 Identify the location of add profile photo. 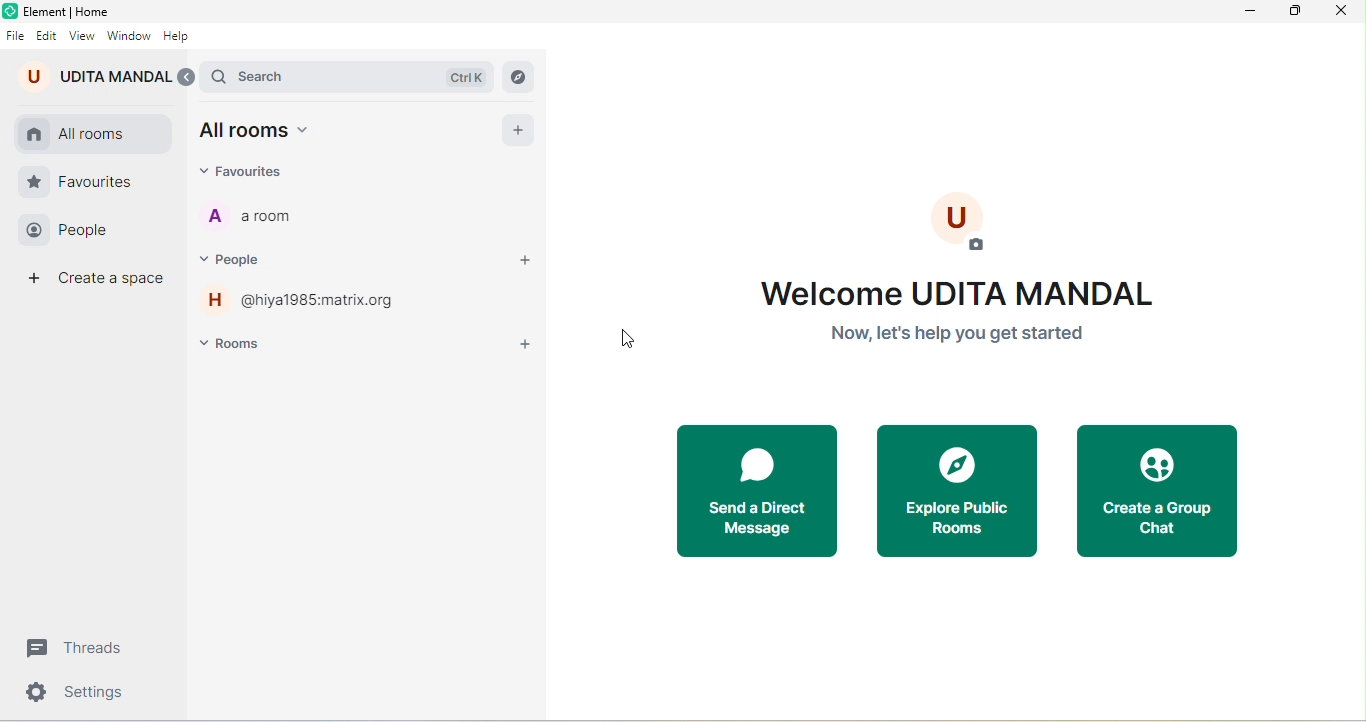
(956, 216).